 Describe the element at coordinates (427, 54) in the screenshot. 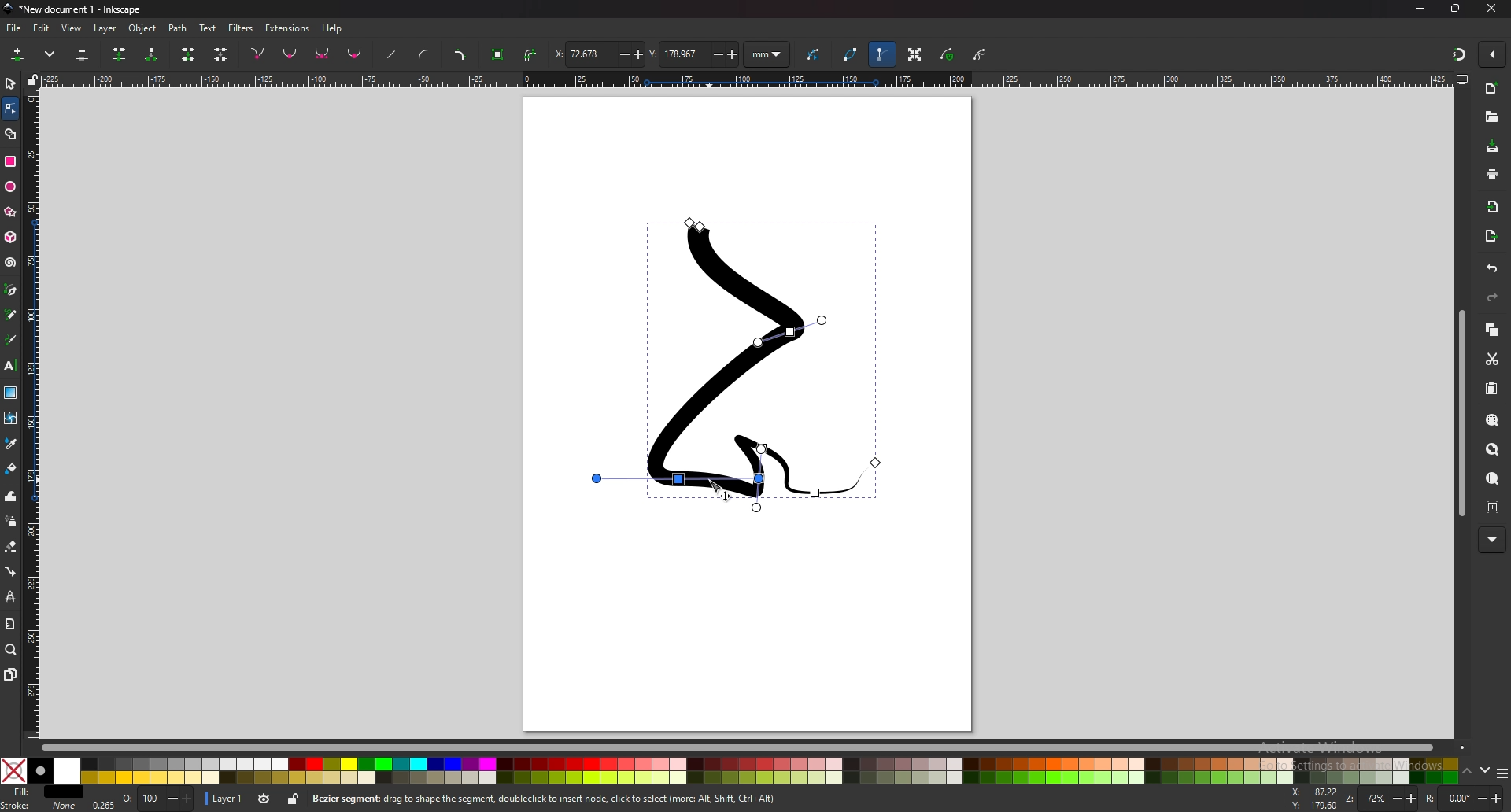

I see `add curve handles` at that location.